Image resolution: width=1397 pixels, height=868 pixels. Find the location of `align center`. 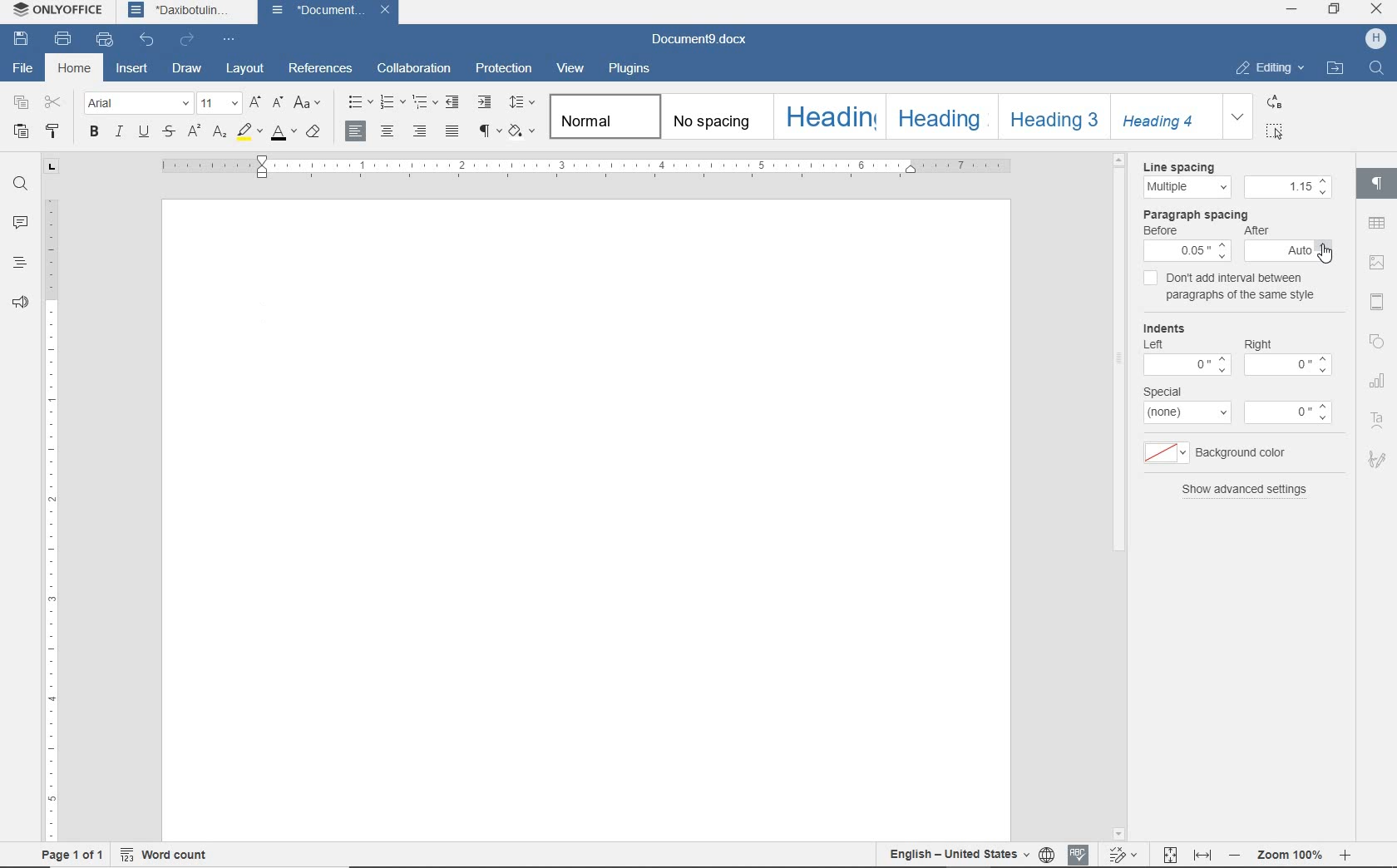

align center is located at coordinates (388, 131).